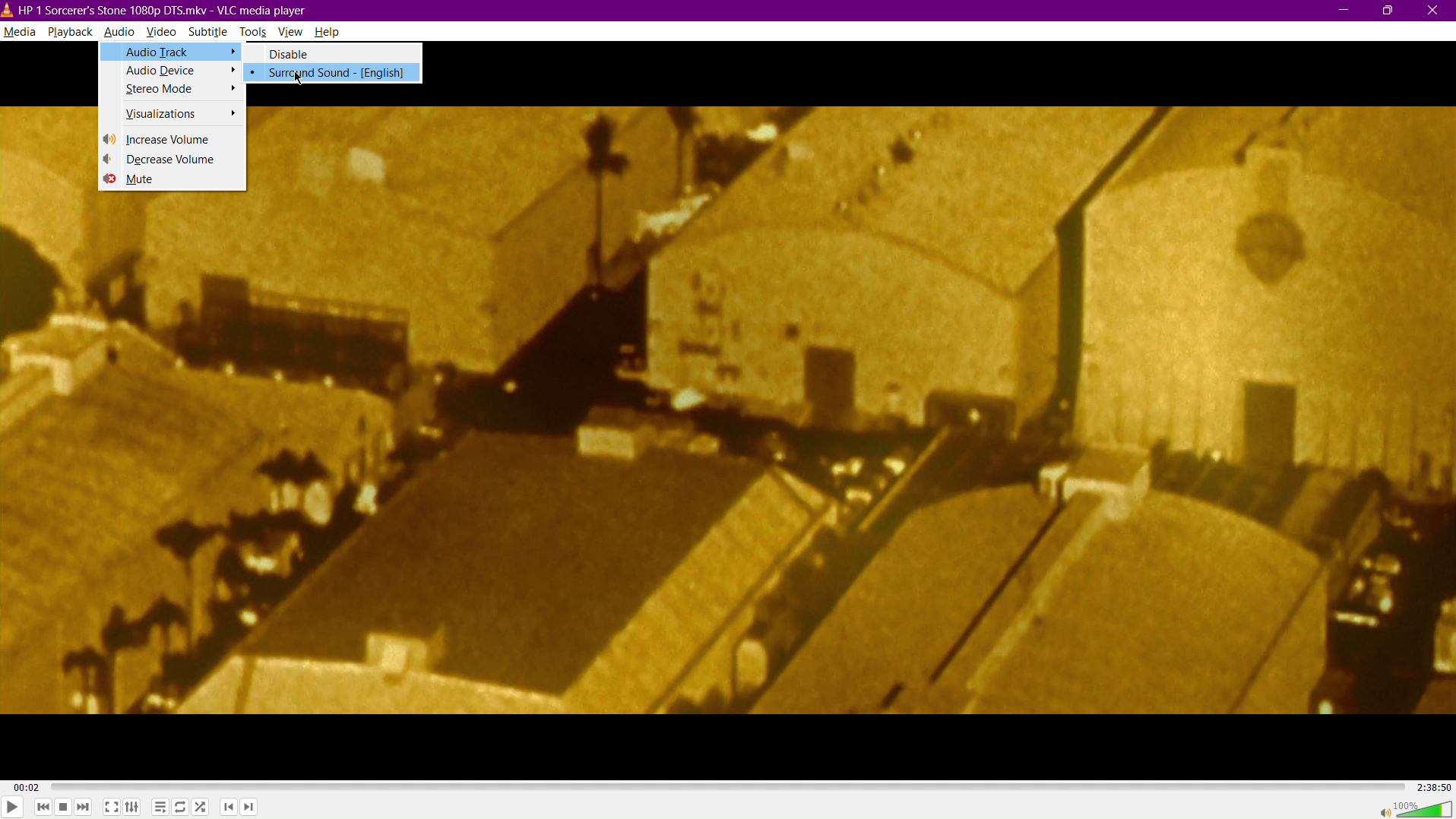 This screenshot has height=819, width=1456. I want to click on Minimize, so click(1342, 10).